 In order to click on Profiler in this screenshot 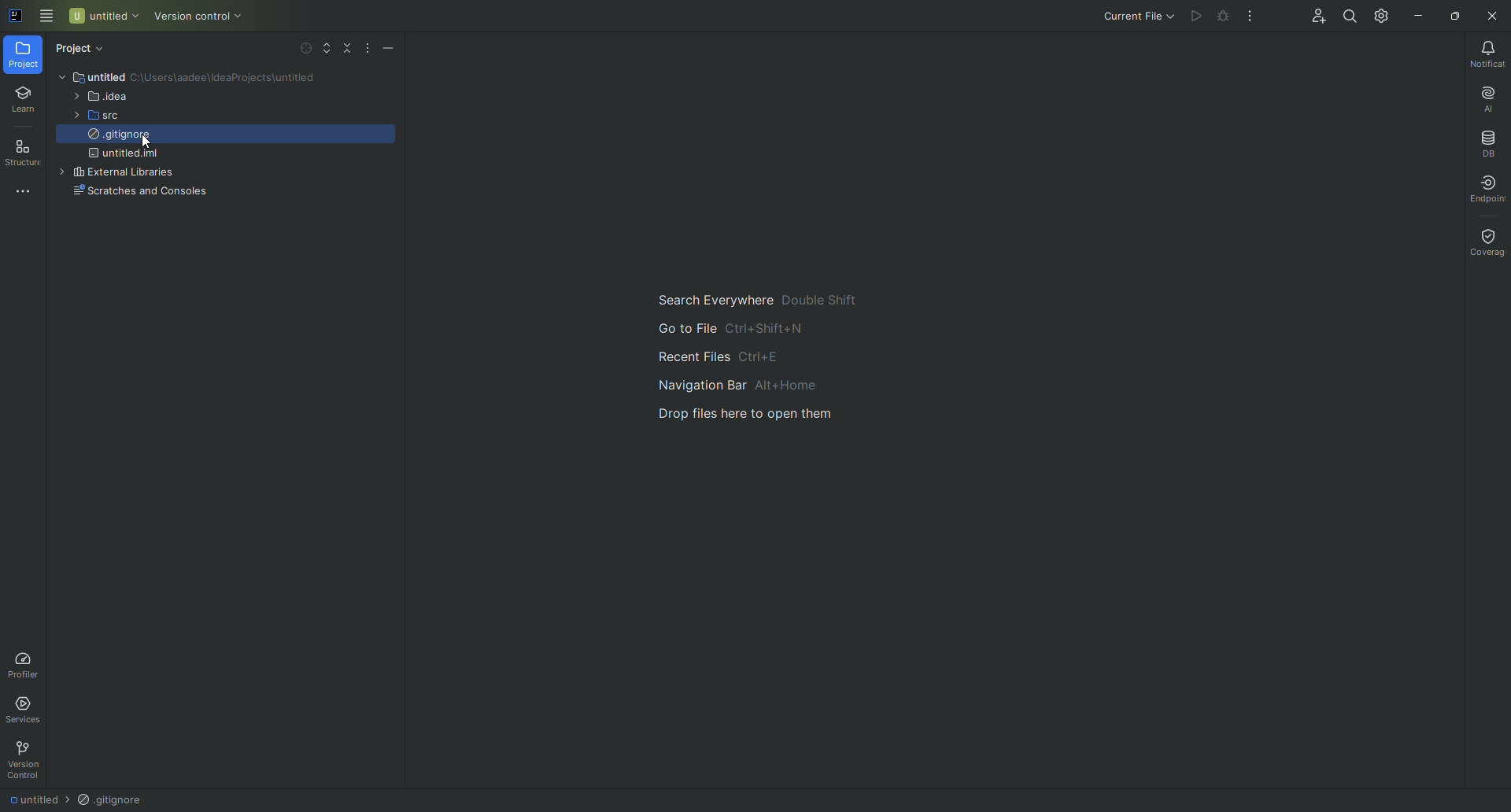, I will do `click(26, 664)`.